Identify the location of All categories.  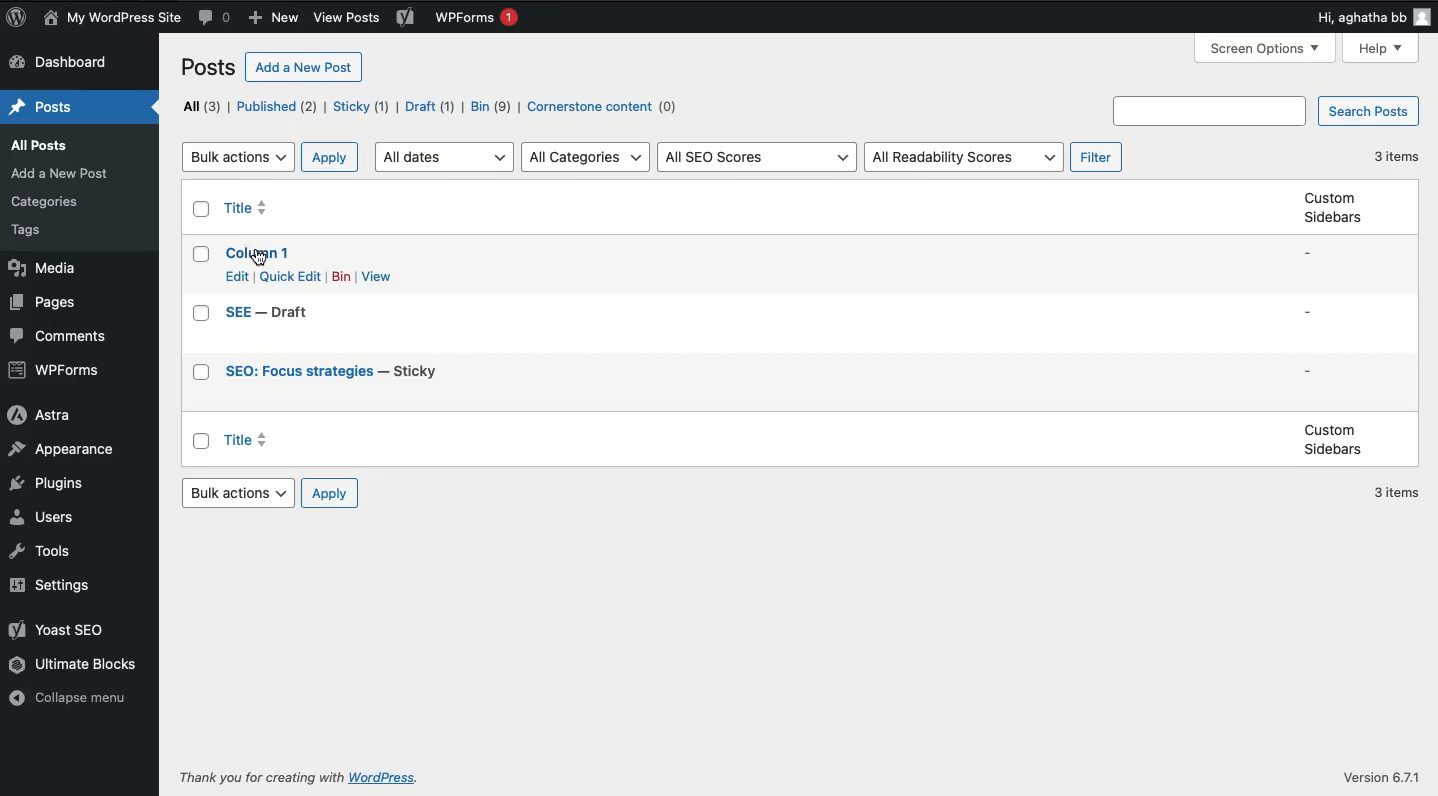
(586, 156).